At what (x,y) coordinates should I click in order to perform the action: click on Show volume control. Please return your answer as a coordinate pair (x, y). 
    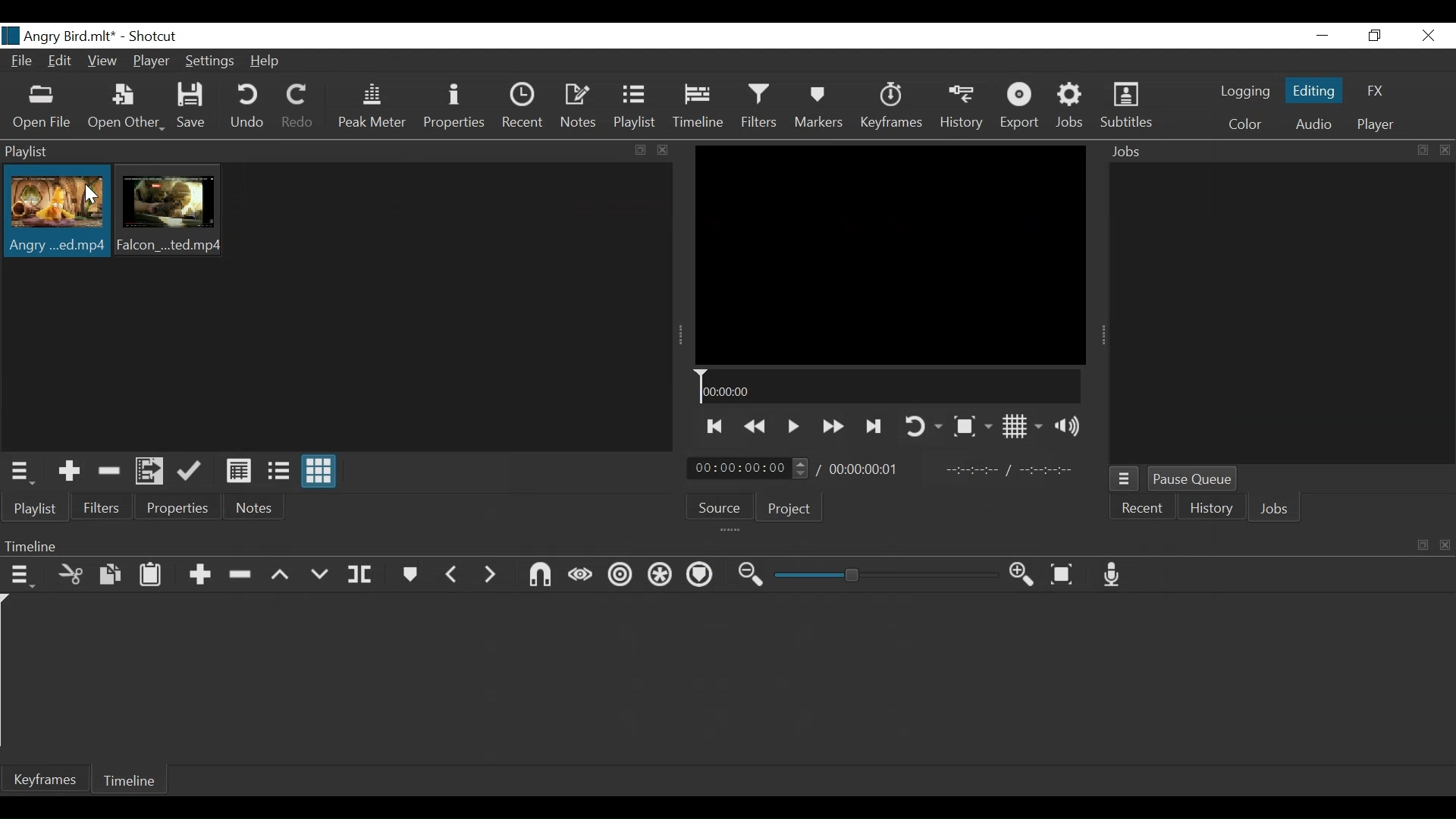
    Looking at the image, I should click on (1071, 425).